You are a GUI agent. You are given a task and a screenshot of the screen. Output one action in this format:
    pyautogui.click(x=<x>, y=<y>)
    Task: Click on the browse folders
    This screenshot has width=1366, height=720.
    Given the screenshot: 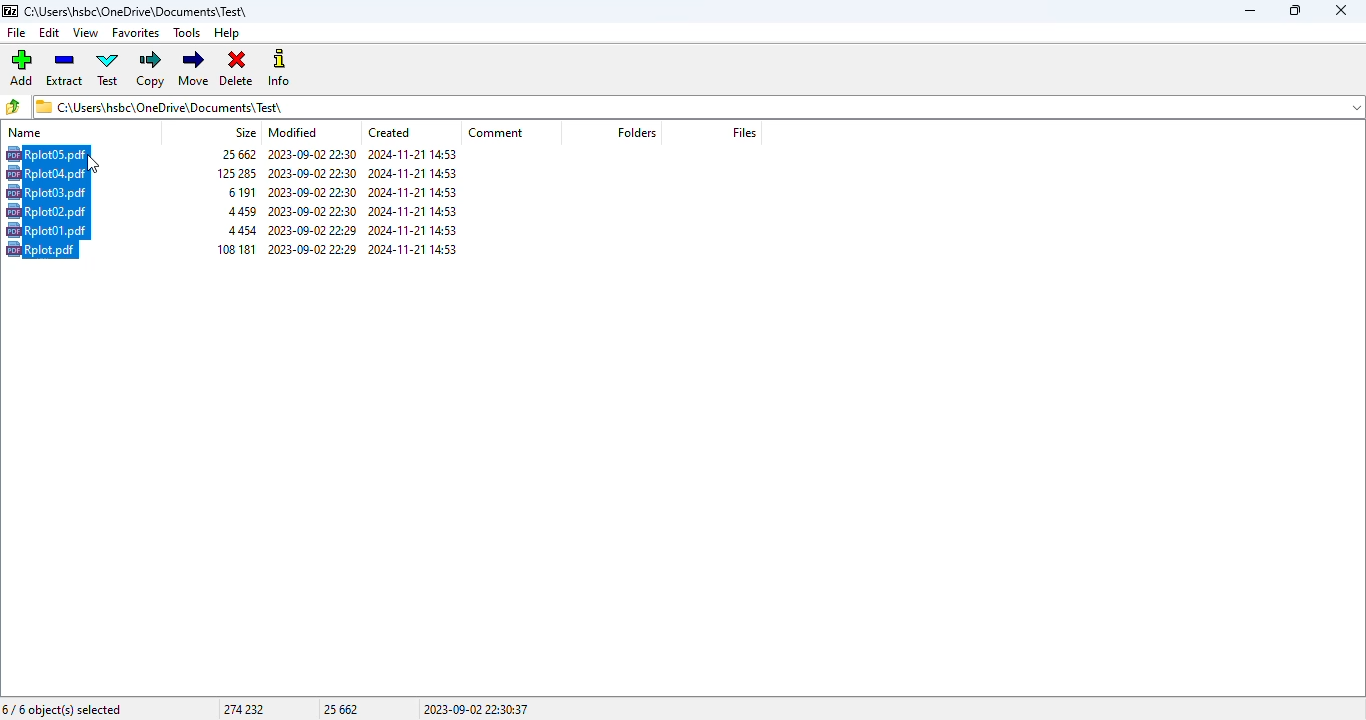 What is the action you would take?
    pyautogui.click(x=15, y=106)
    